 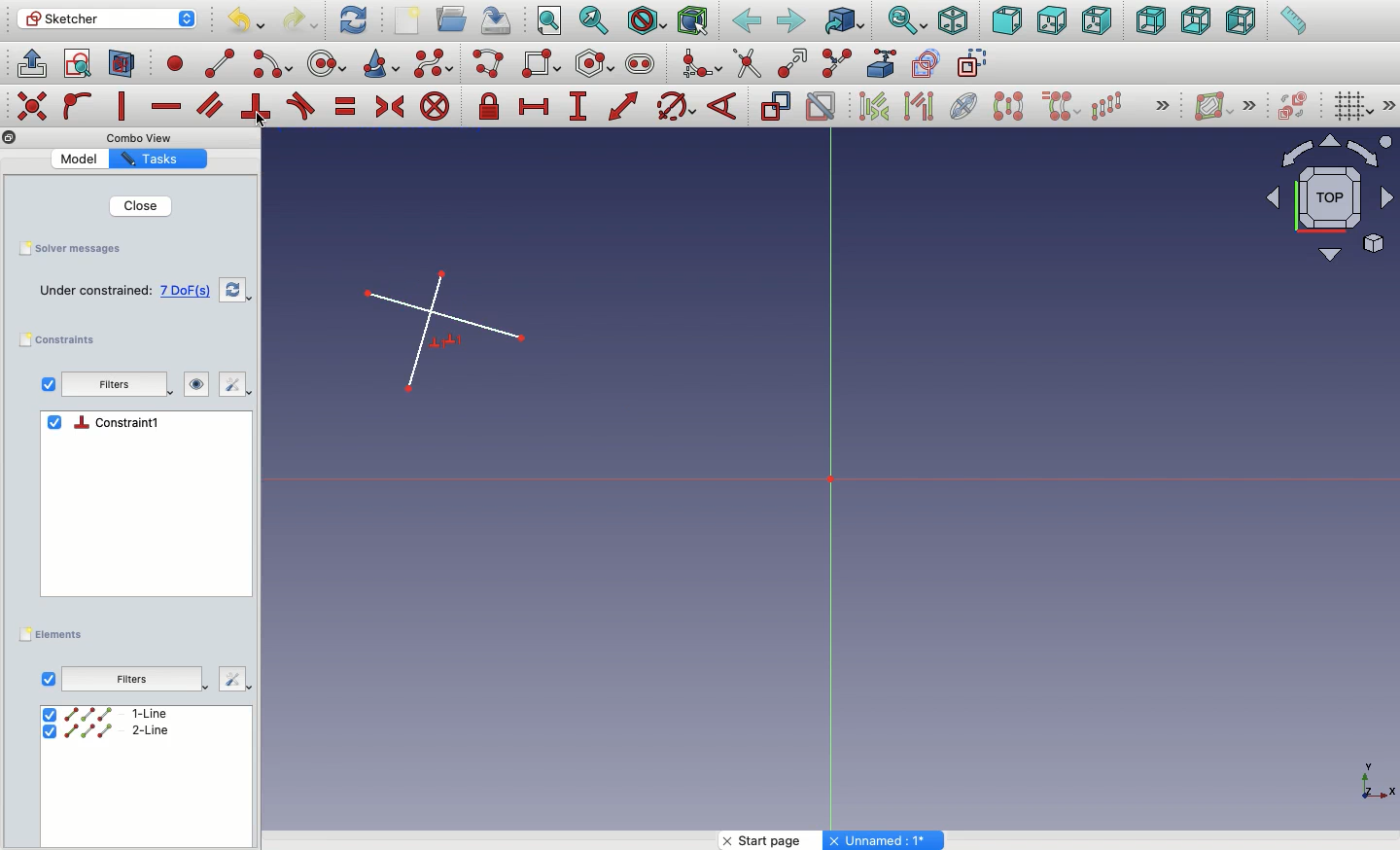 What do you see at coordinates (975, 64) in the screenshot?
I see `construction geometry` at bounding box center [975, 64].